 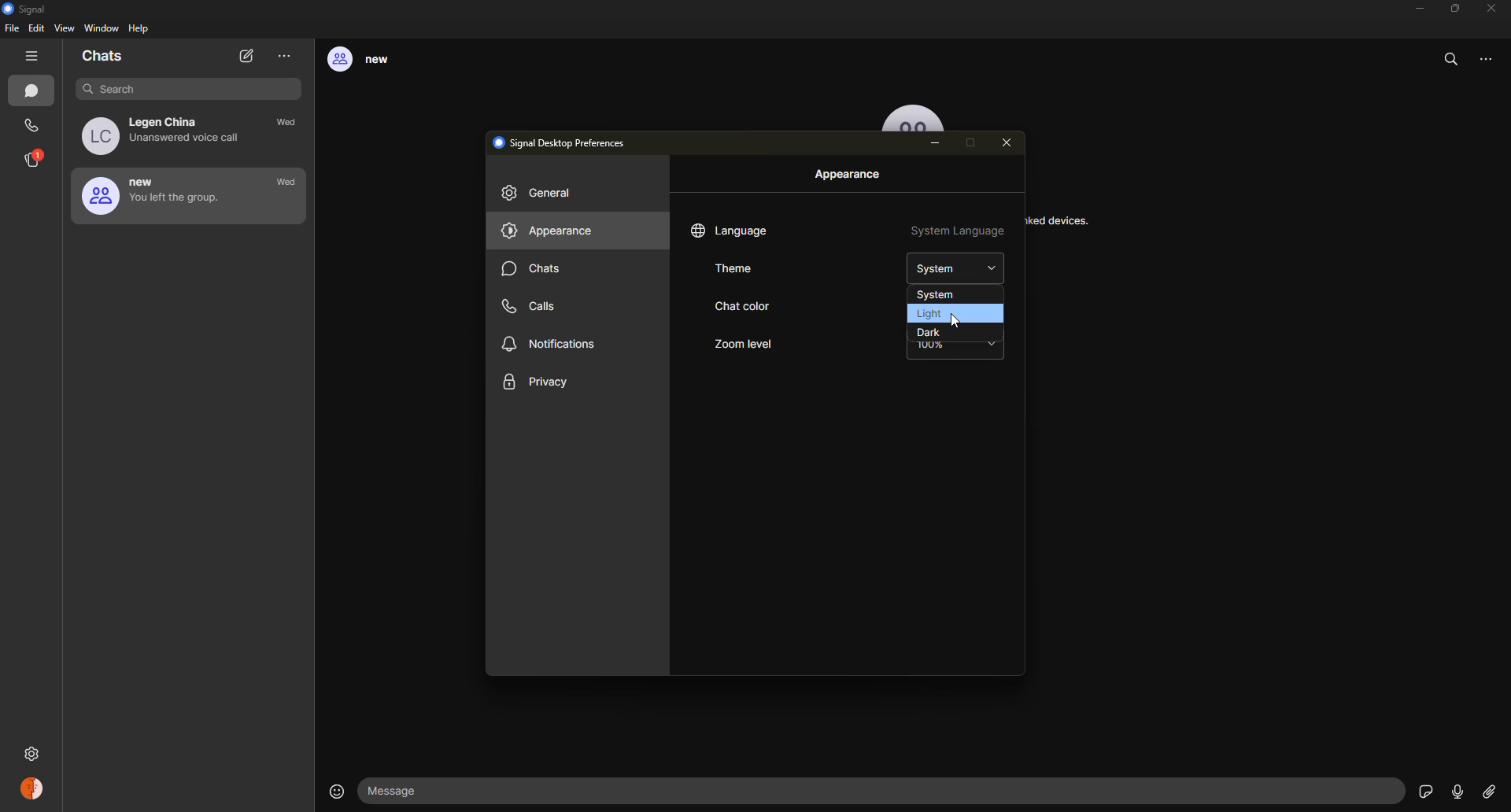 I want to click on max, so click(x=974, y=142).